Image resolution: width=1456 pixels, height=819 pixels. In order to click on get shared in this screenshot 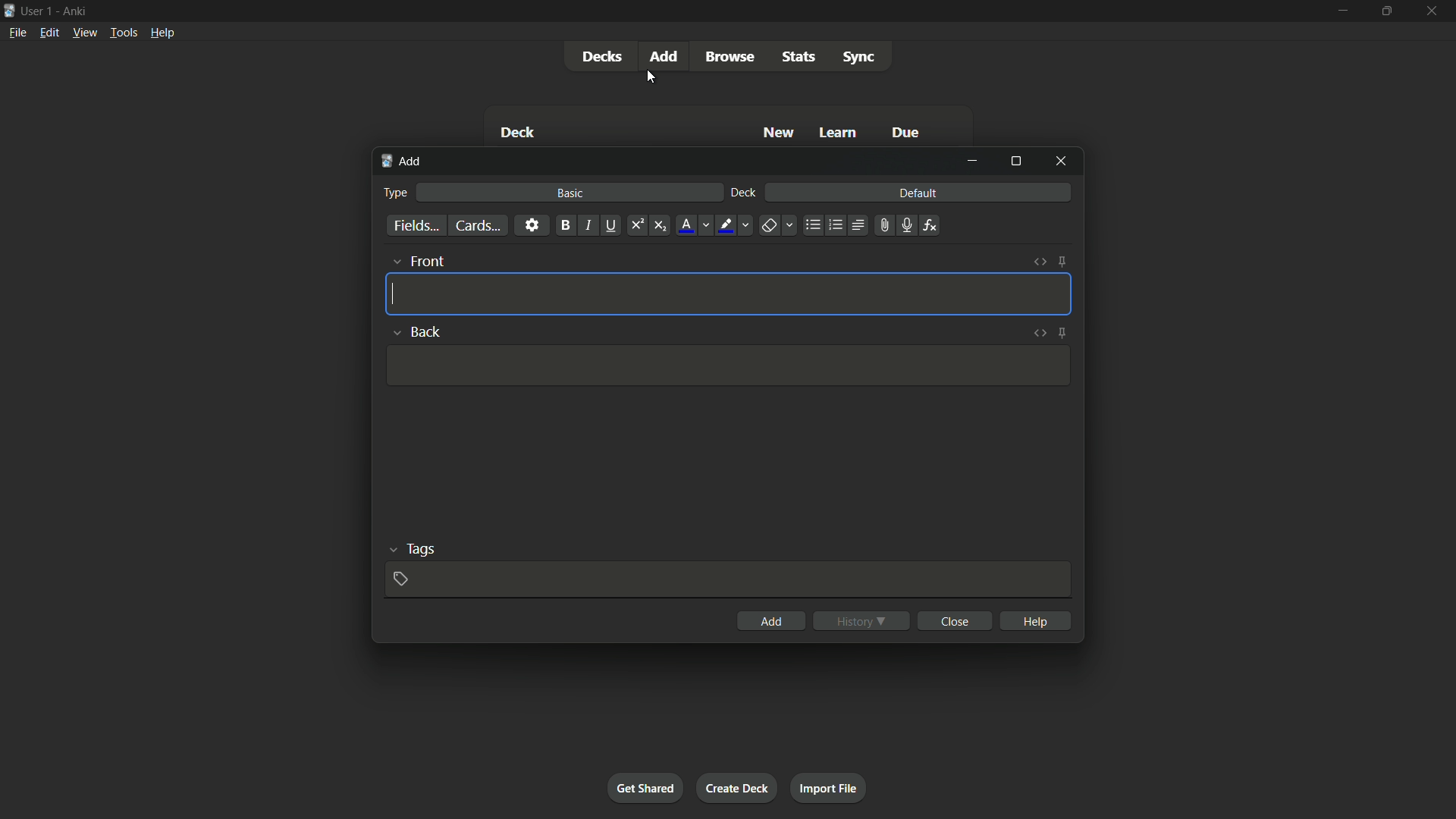, I will do `click(645, 787)`.